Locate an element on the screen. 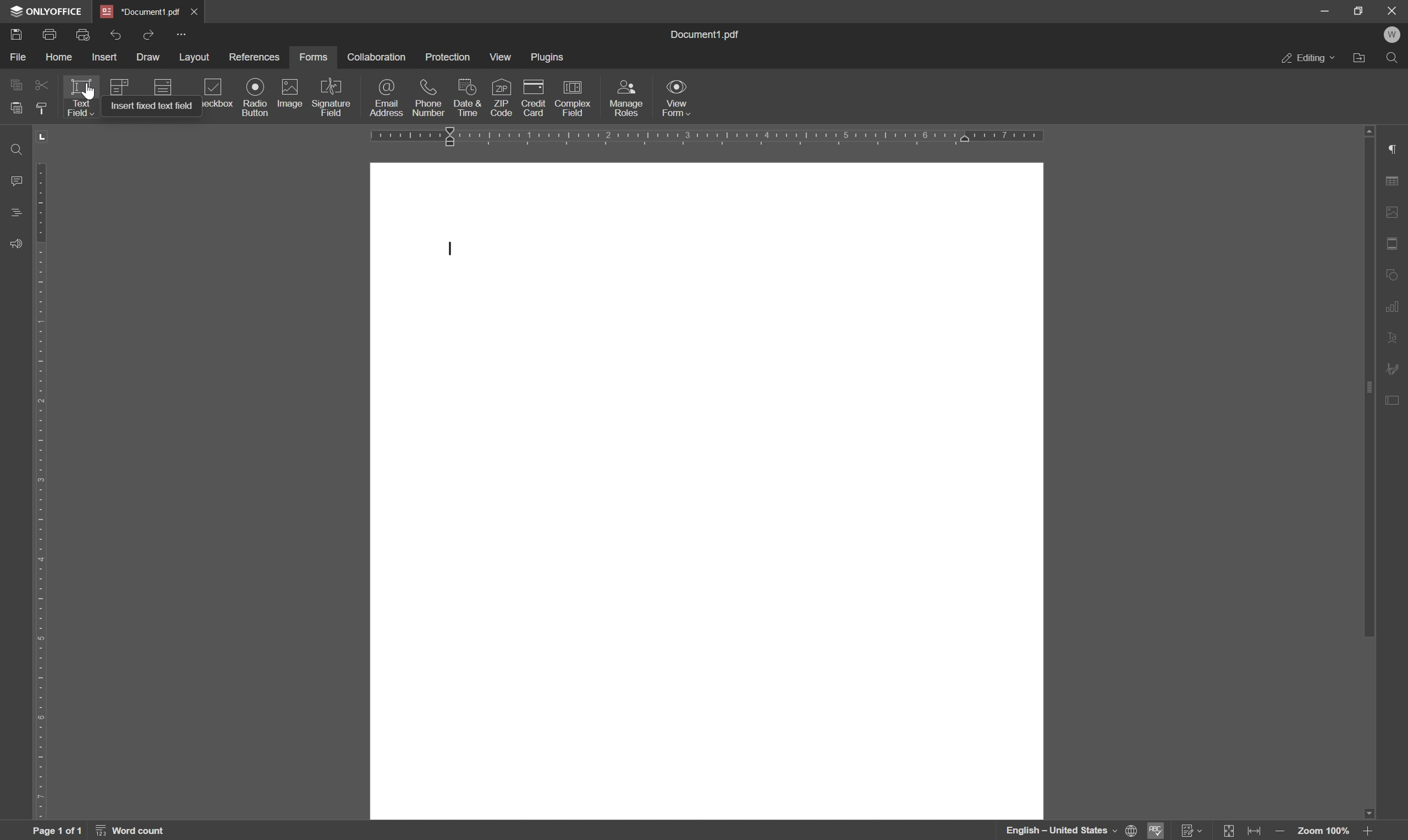 This screenshot has width=1408, height=840. text art settings is located at coordinates (1395, 340).